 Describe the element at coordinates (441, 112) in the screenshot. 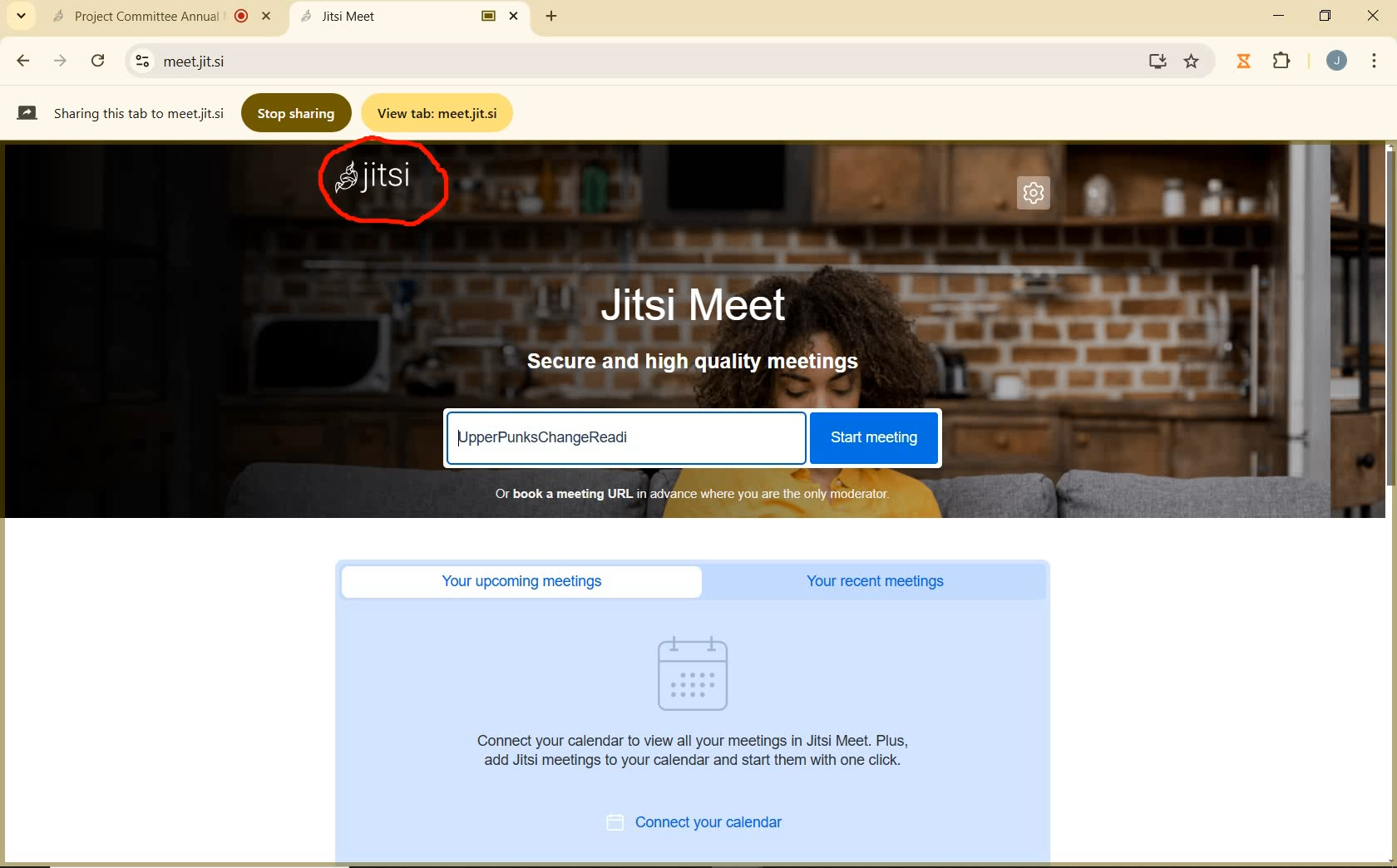

I see `VIEW TAB: MEET.JIT.SI` at that location.